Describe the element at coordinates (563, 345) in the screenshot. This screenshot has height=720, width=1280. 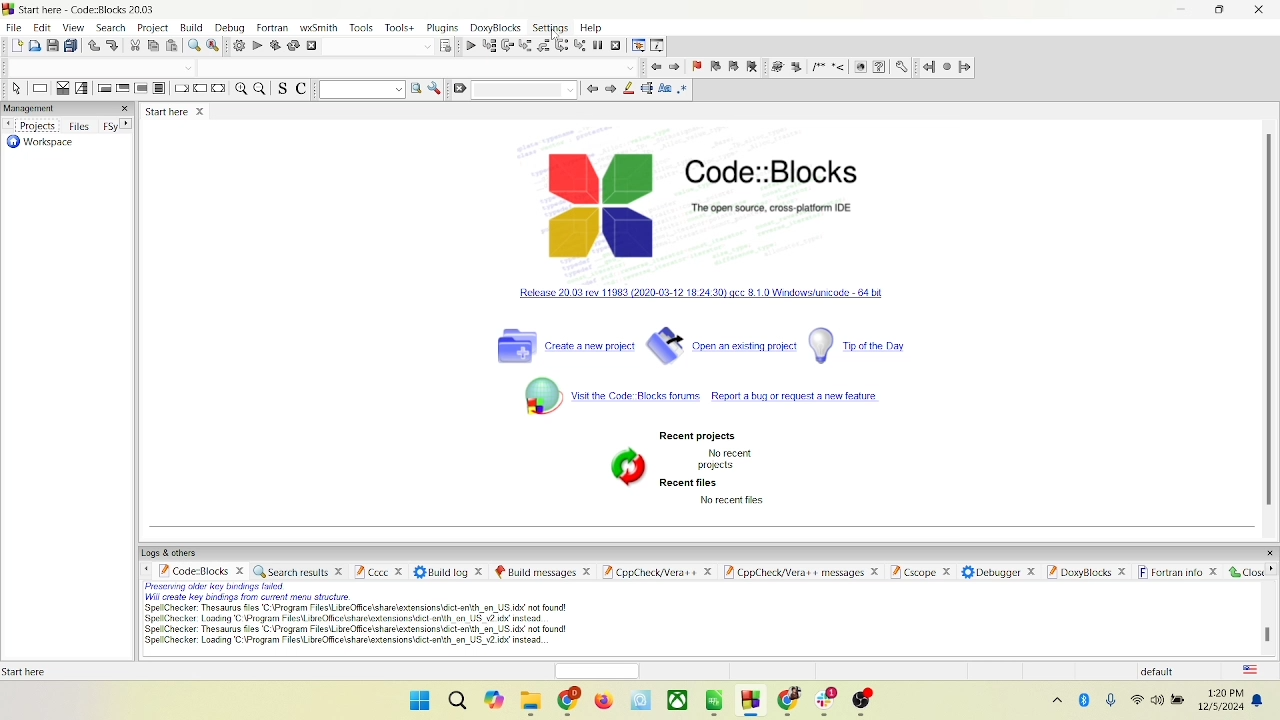
I see `create a new project` at that location.